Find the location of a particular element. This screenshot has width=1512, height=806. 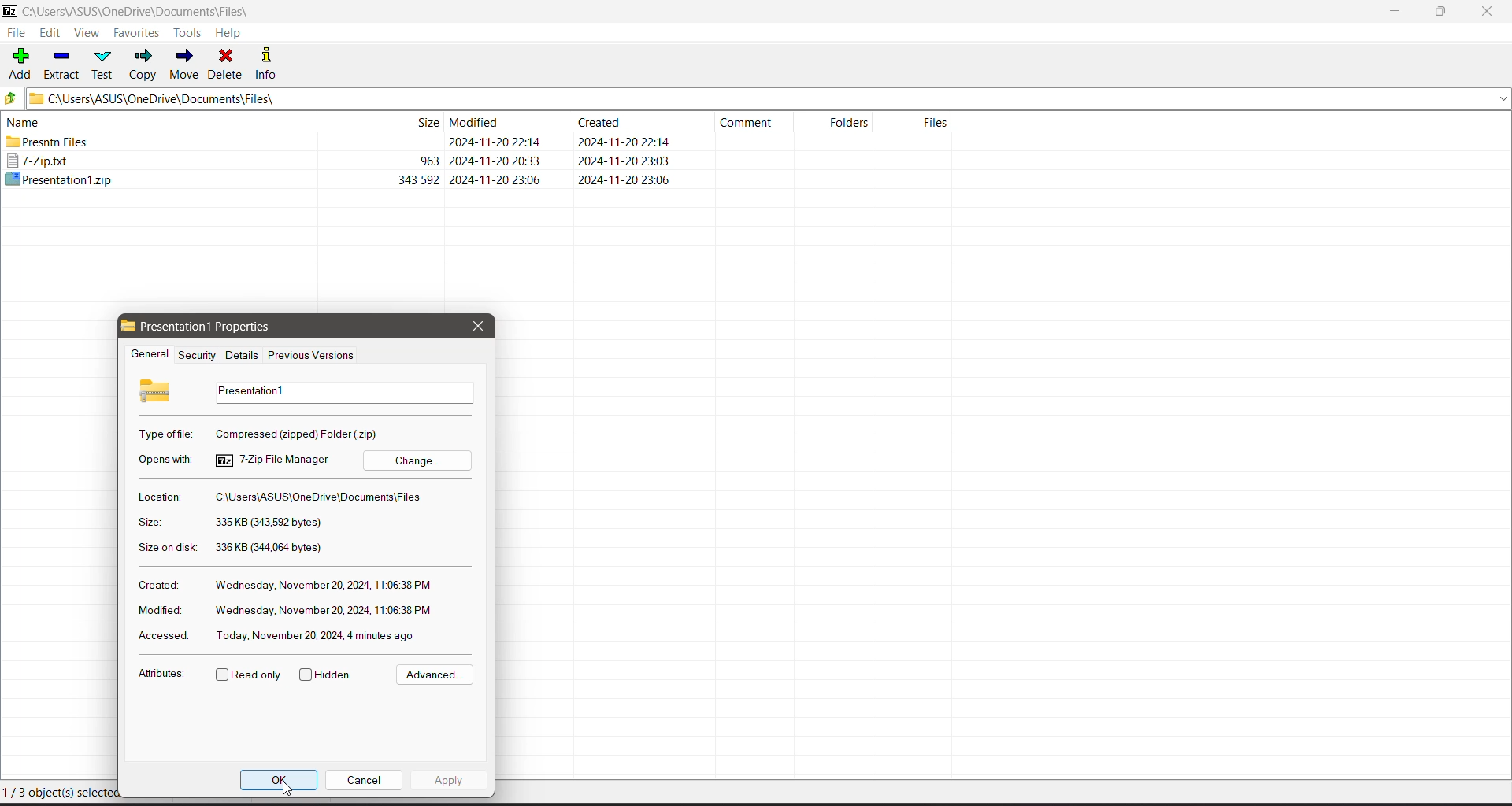

Attributes is located at coordinates (161, 676).